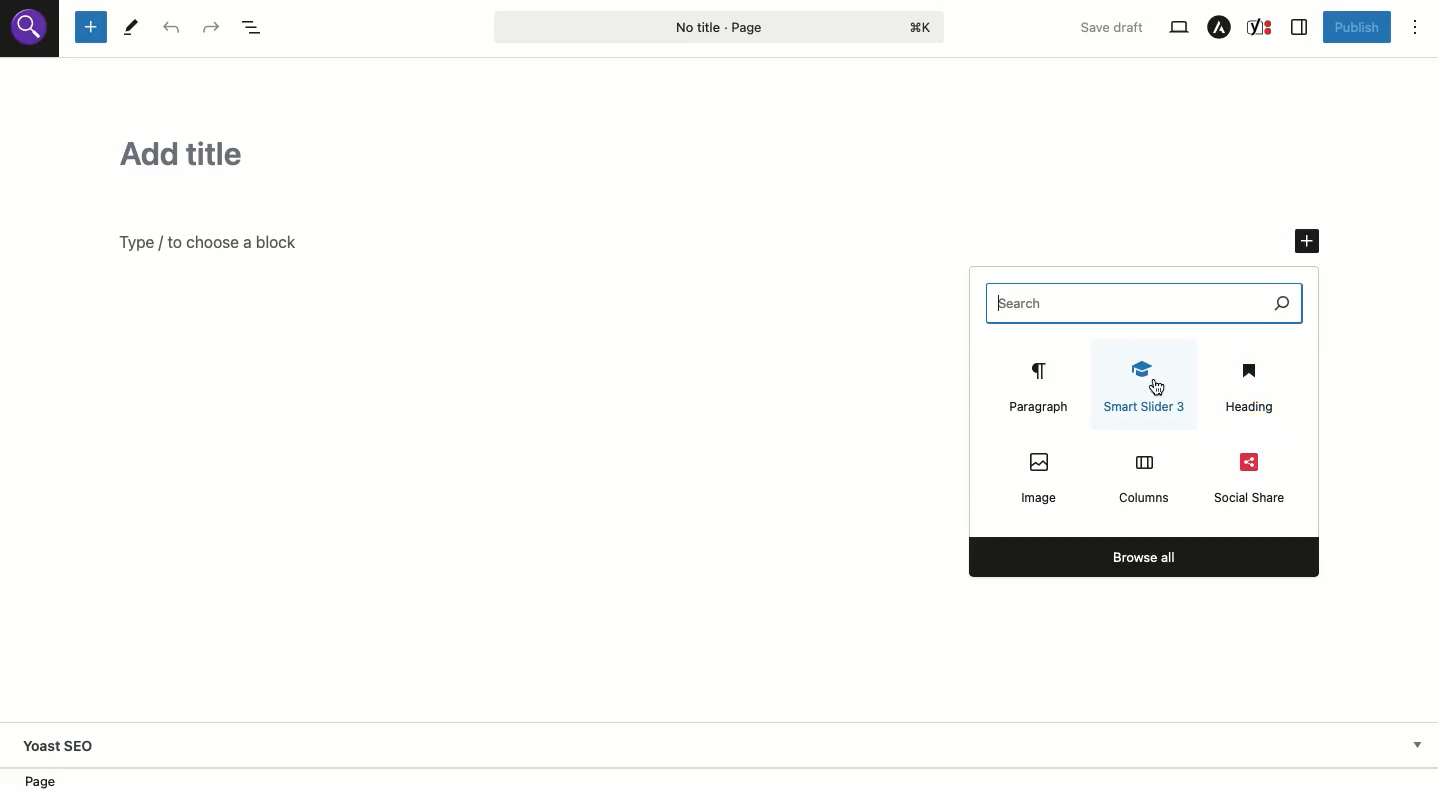 Image resolution: width=1438 pixels, height=792 pixels. What do you see at coordinates (208, 245) in the screenshot?
I see `Text` at bounding box center [208, 245].